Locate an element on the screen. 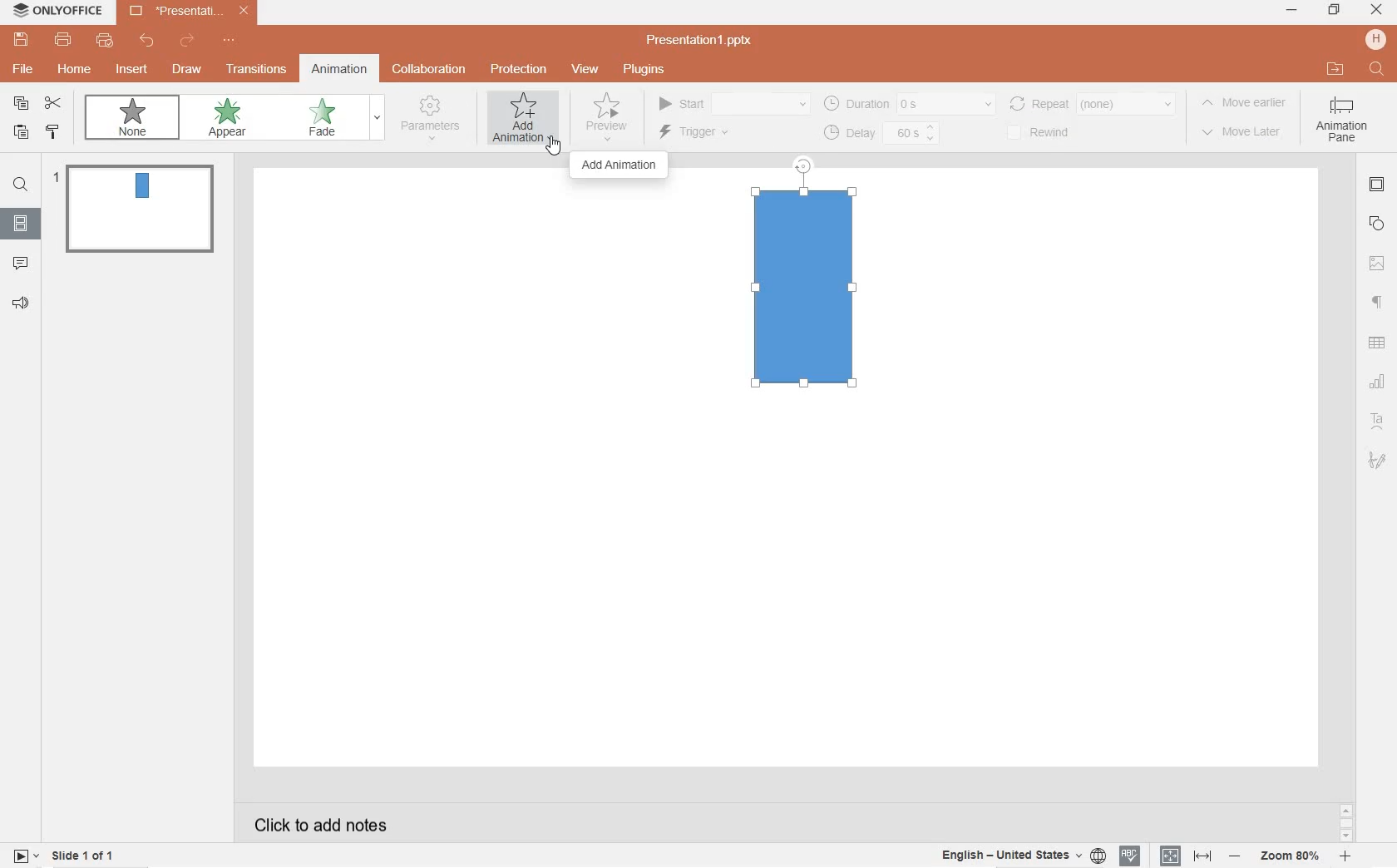  ONLYOFFICE is located at coordinates (59, 13).